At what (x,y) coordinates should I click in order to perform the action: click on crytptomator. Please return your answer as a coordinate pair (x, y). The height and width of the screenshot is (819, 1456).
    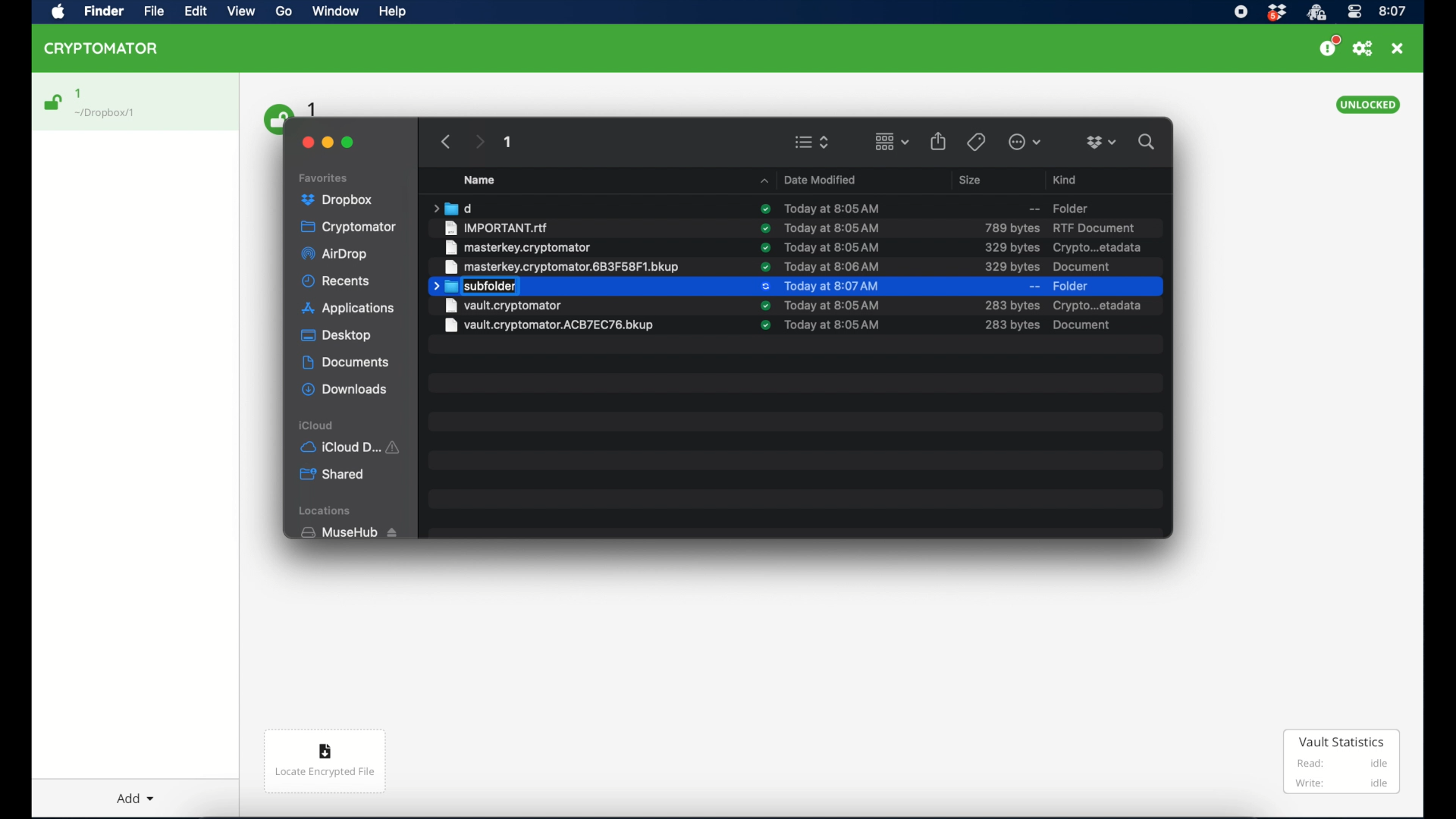
    Looking at the image, I should click on (1316, 13).